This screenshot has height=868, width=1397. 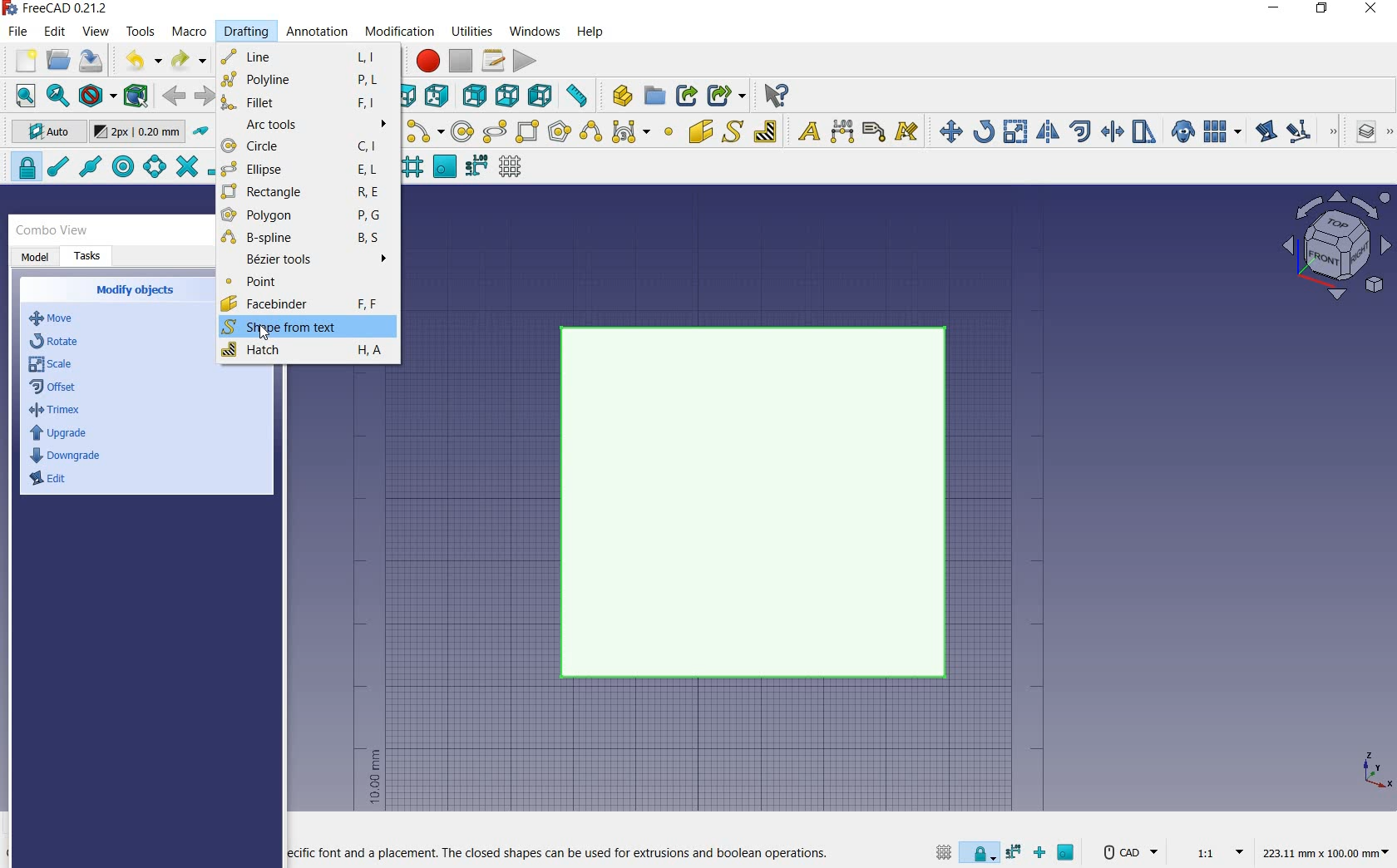 I want to click on offset, so click(x=1081, y=131).